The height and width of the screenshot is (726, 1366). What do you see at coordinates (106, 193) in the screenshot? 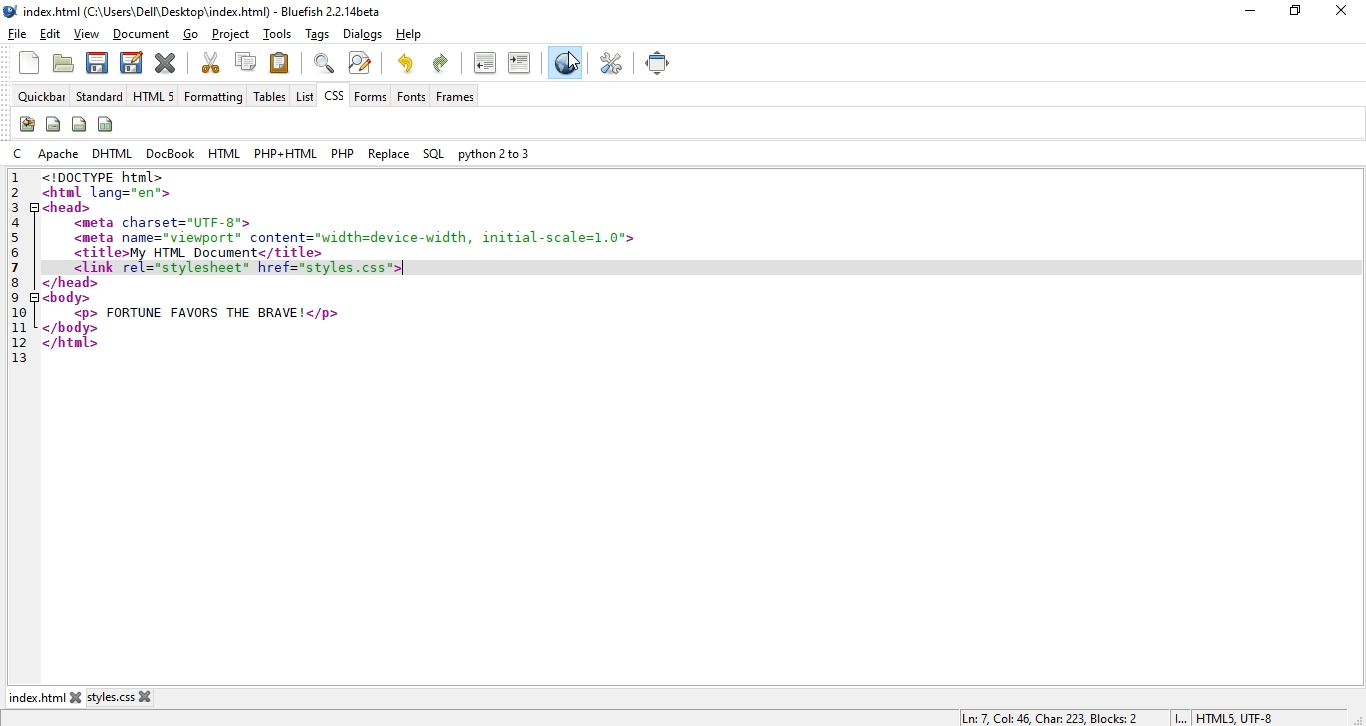
I see `<html lang="en">` at bounding box center [106, 193].